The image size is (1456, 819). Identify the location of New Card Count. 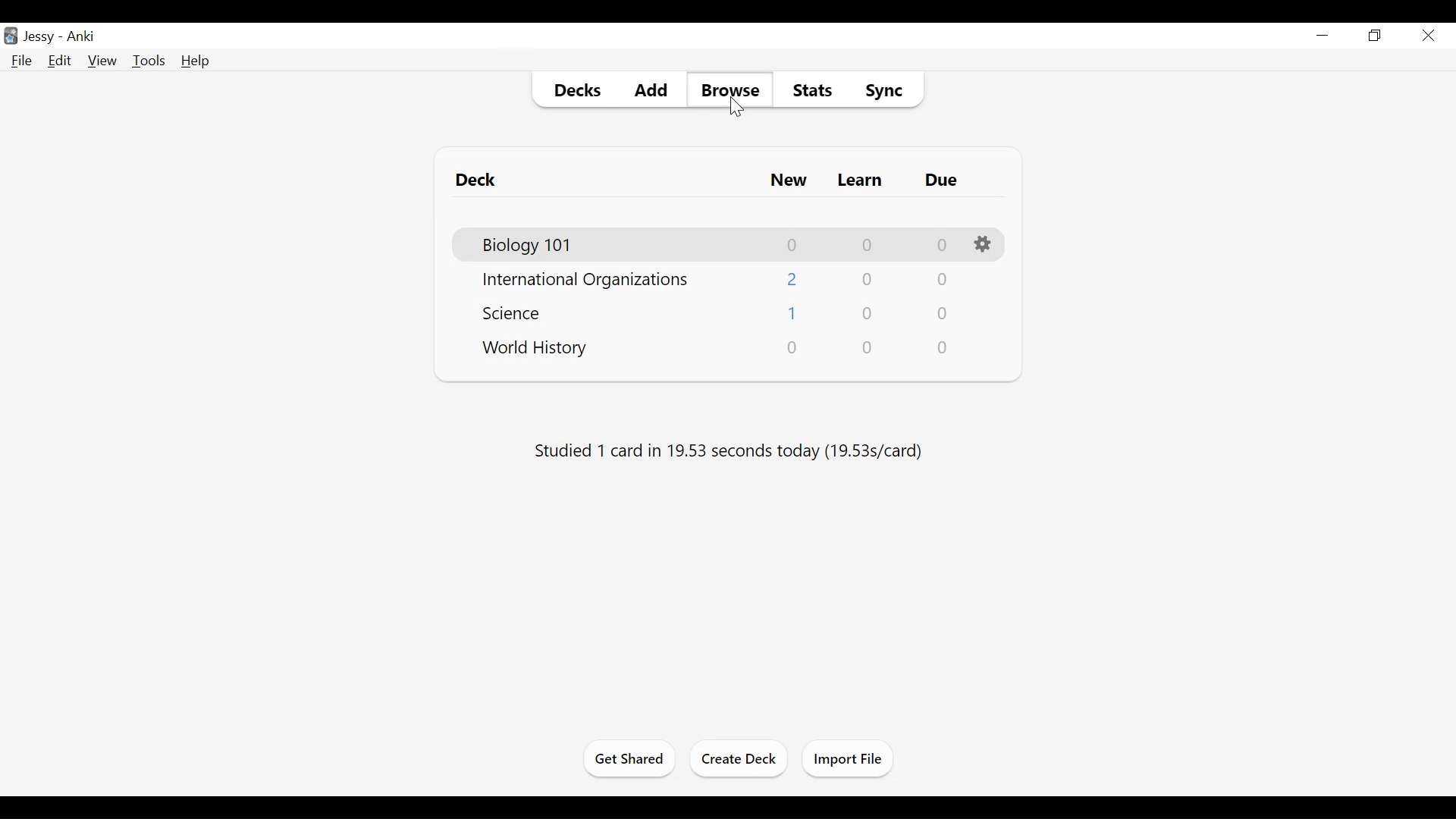
(791, 349).